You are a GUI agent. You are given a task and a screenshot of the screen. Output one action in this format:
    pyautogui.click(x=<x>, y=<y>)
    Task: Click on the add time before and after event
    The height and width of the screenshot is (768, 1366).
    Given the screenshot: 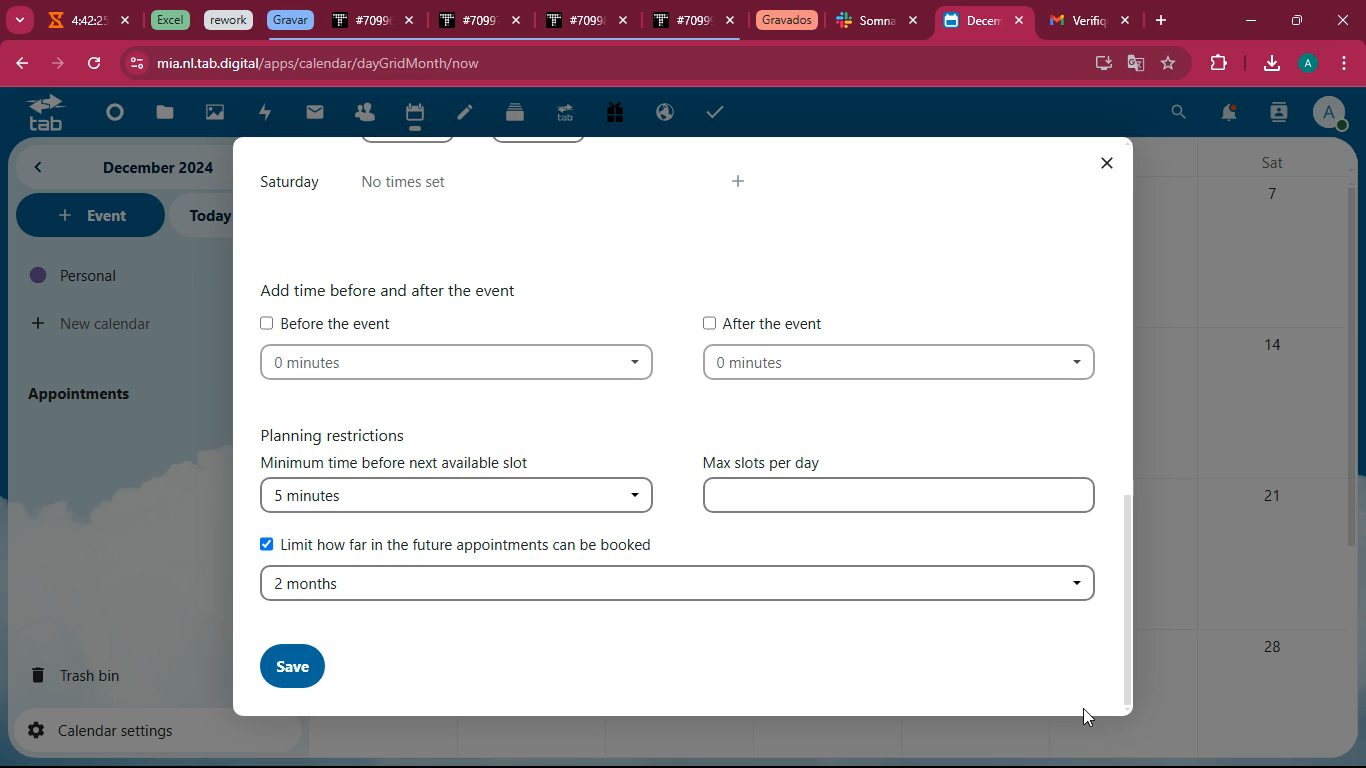 What is the action you would take?
    pyautogui.click(x=394, y=288)
    